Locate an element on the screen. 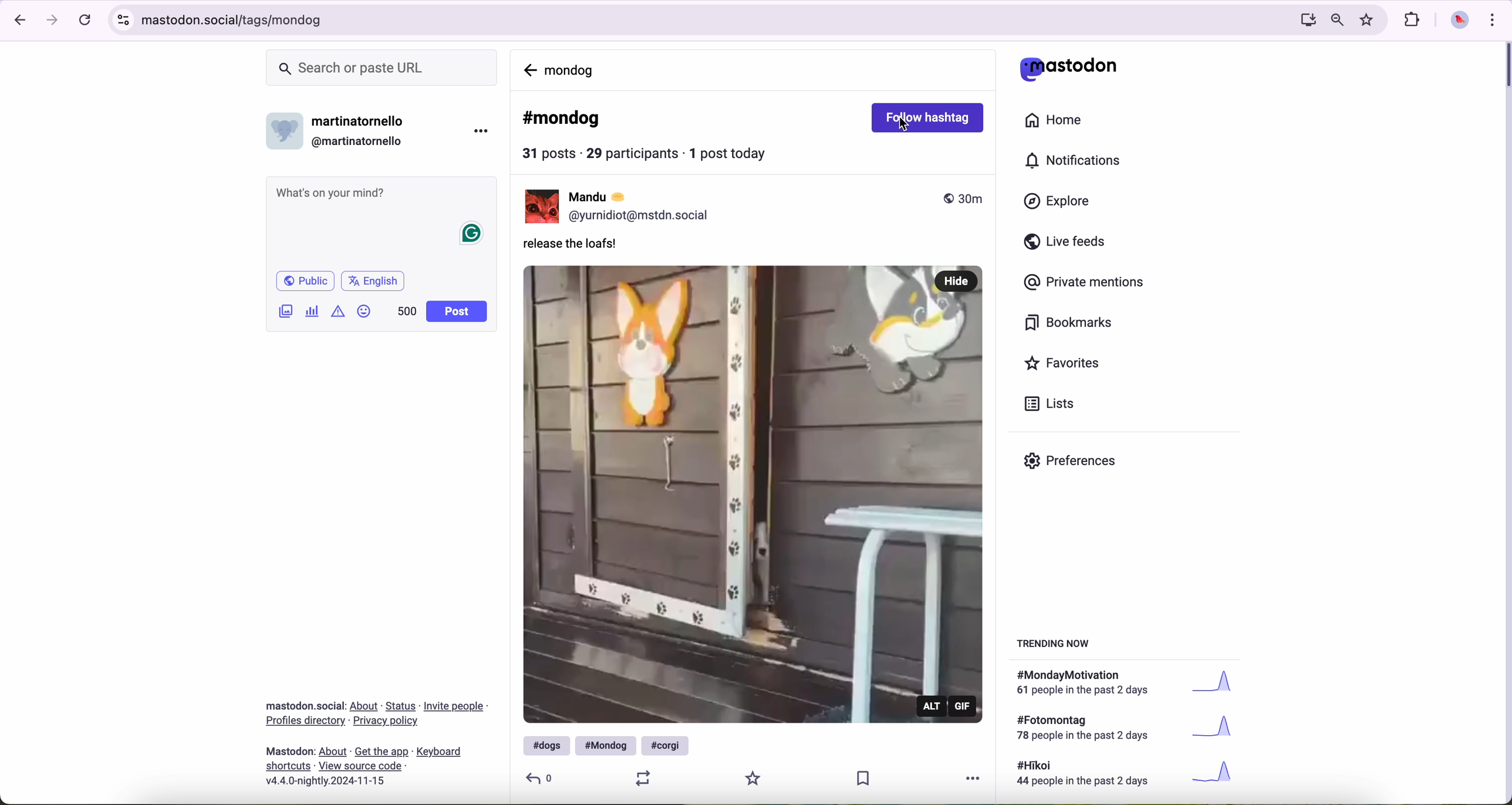 The width and height of the screenshot is (1512, 805). 29 participants is located at coordinates (632, 153).